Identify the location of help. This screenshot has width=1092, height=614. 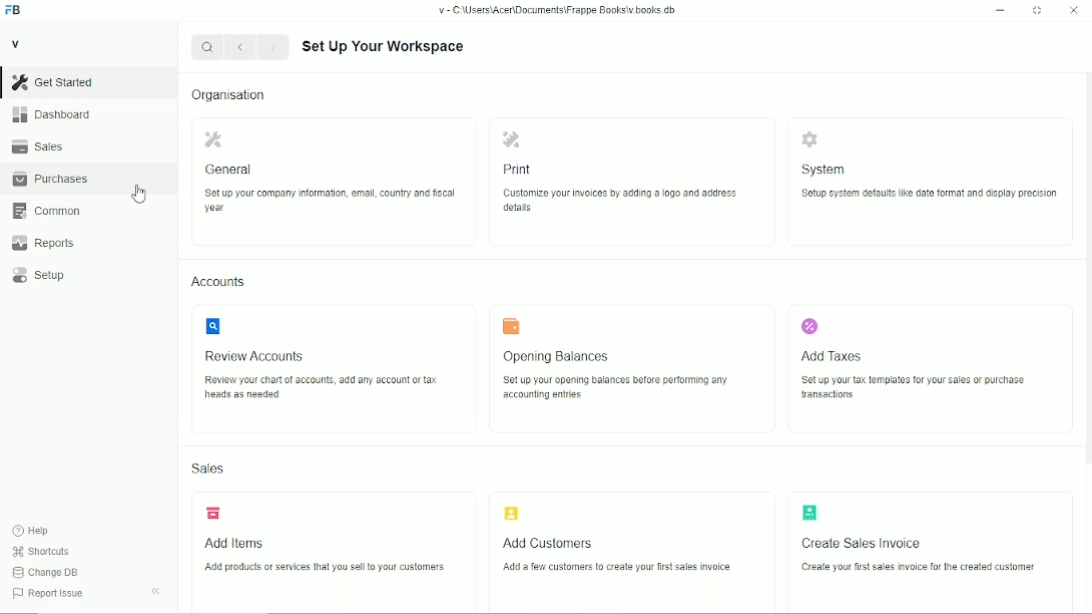
(32, 531).